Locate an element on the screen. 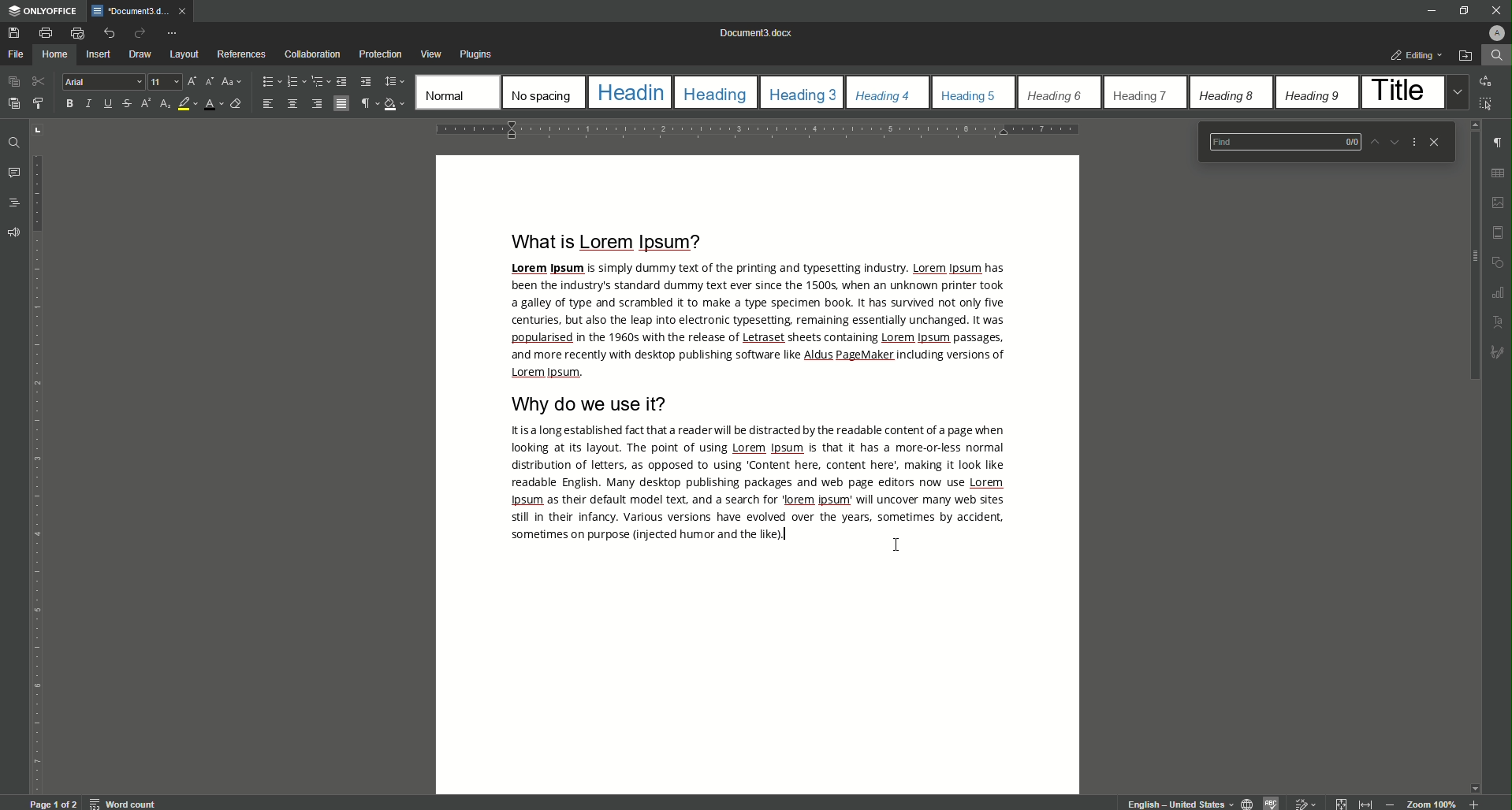  Superscript is located at coordinates (145, 107).